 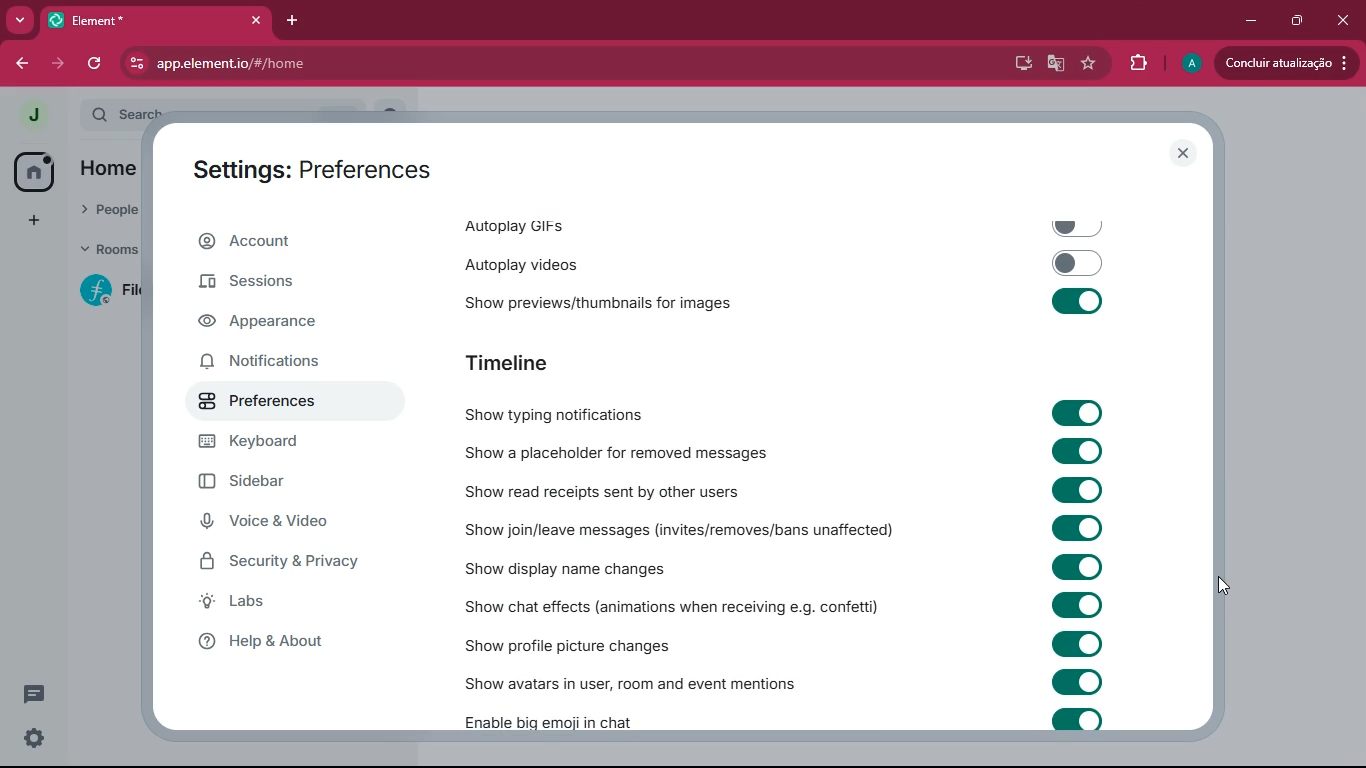 I want to click on google translate, so click(x=1054, y=63).